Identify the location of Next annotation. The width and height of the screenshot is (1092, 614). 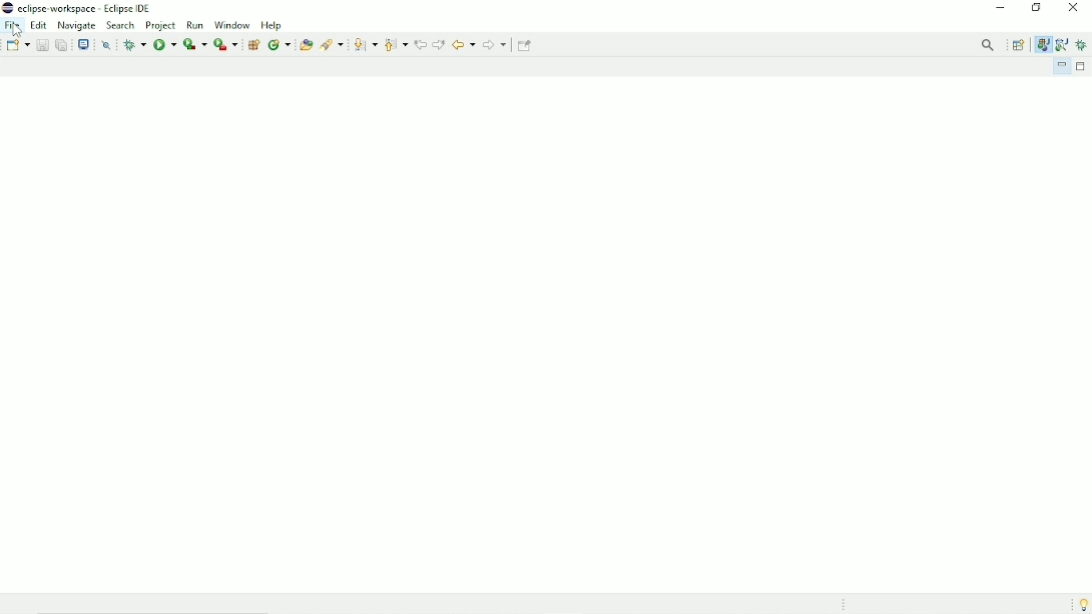
(365, 45).